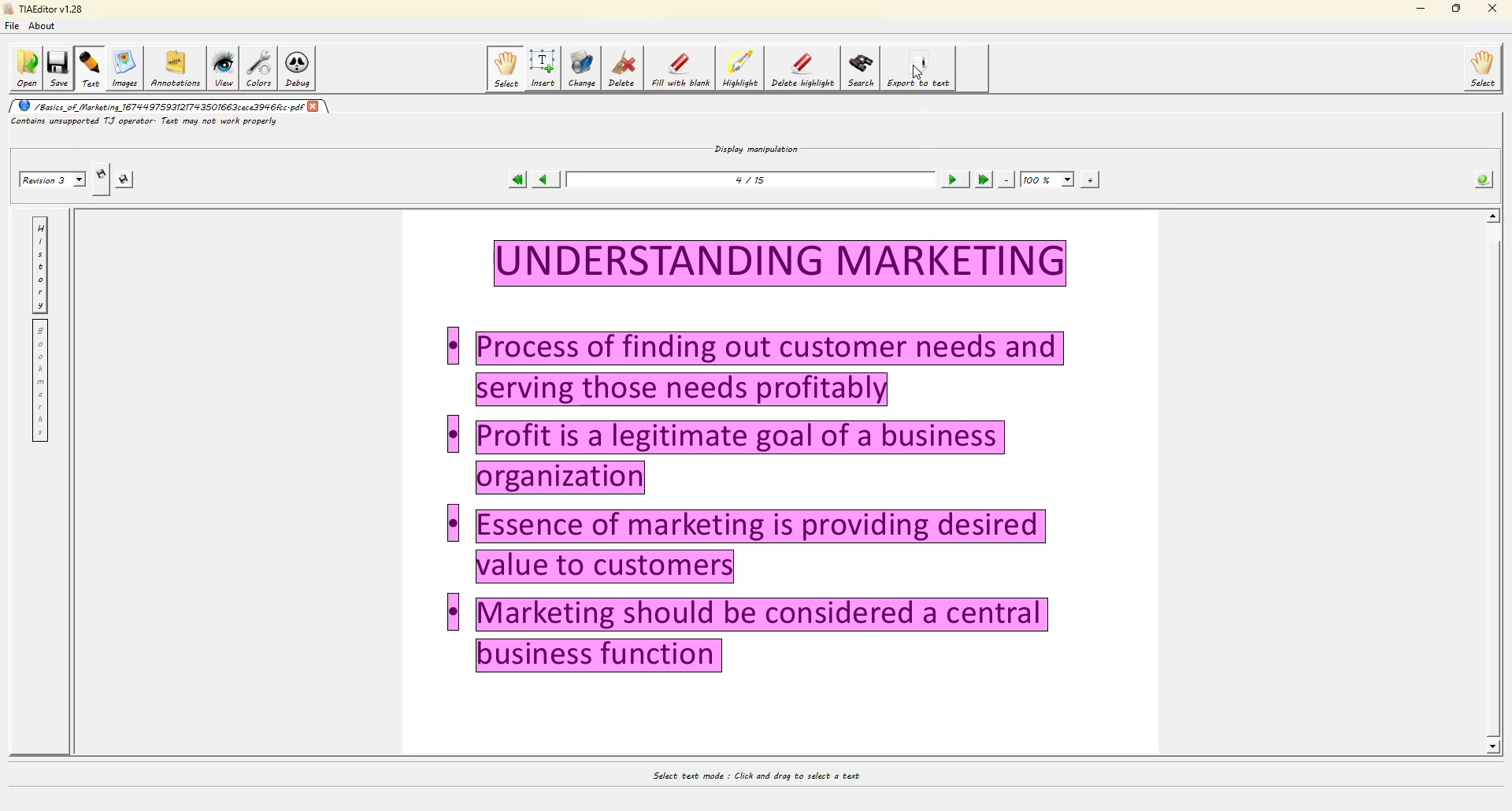  I want to click on revision, so click(50, 179).